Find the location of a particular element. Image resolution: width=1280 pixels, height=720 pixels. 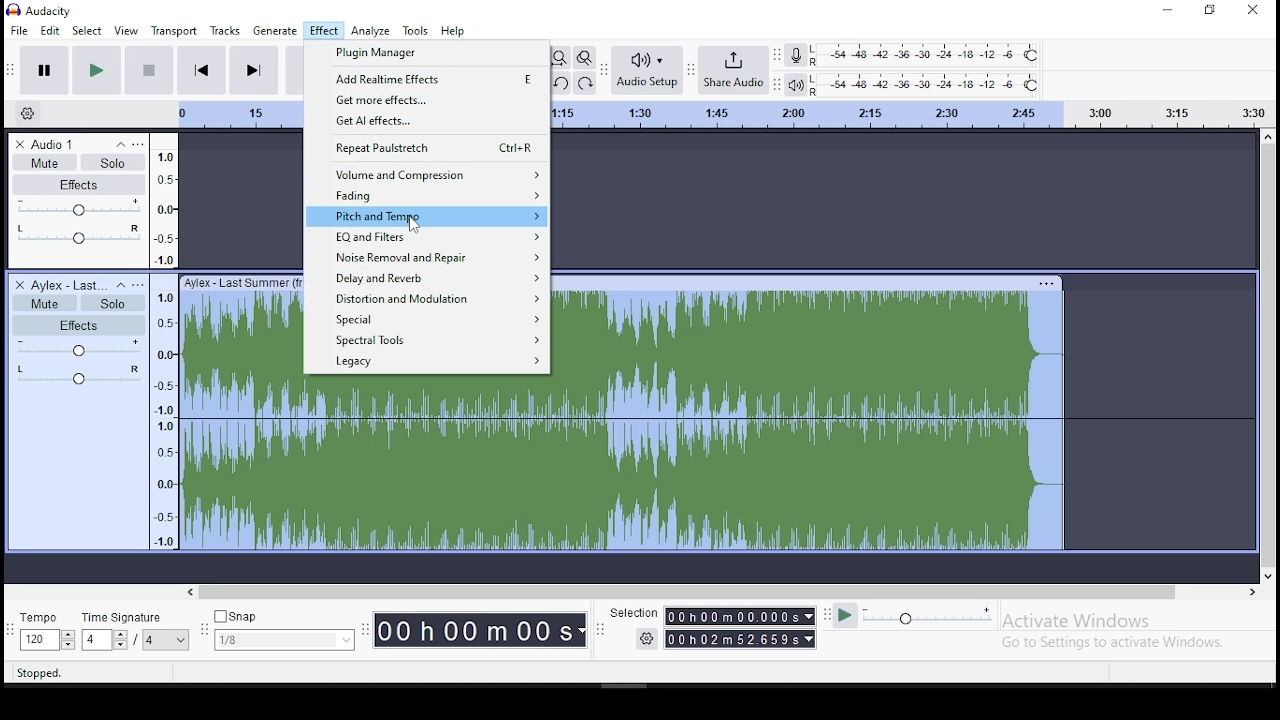

special is located at coordinates (429, 320).